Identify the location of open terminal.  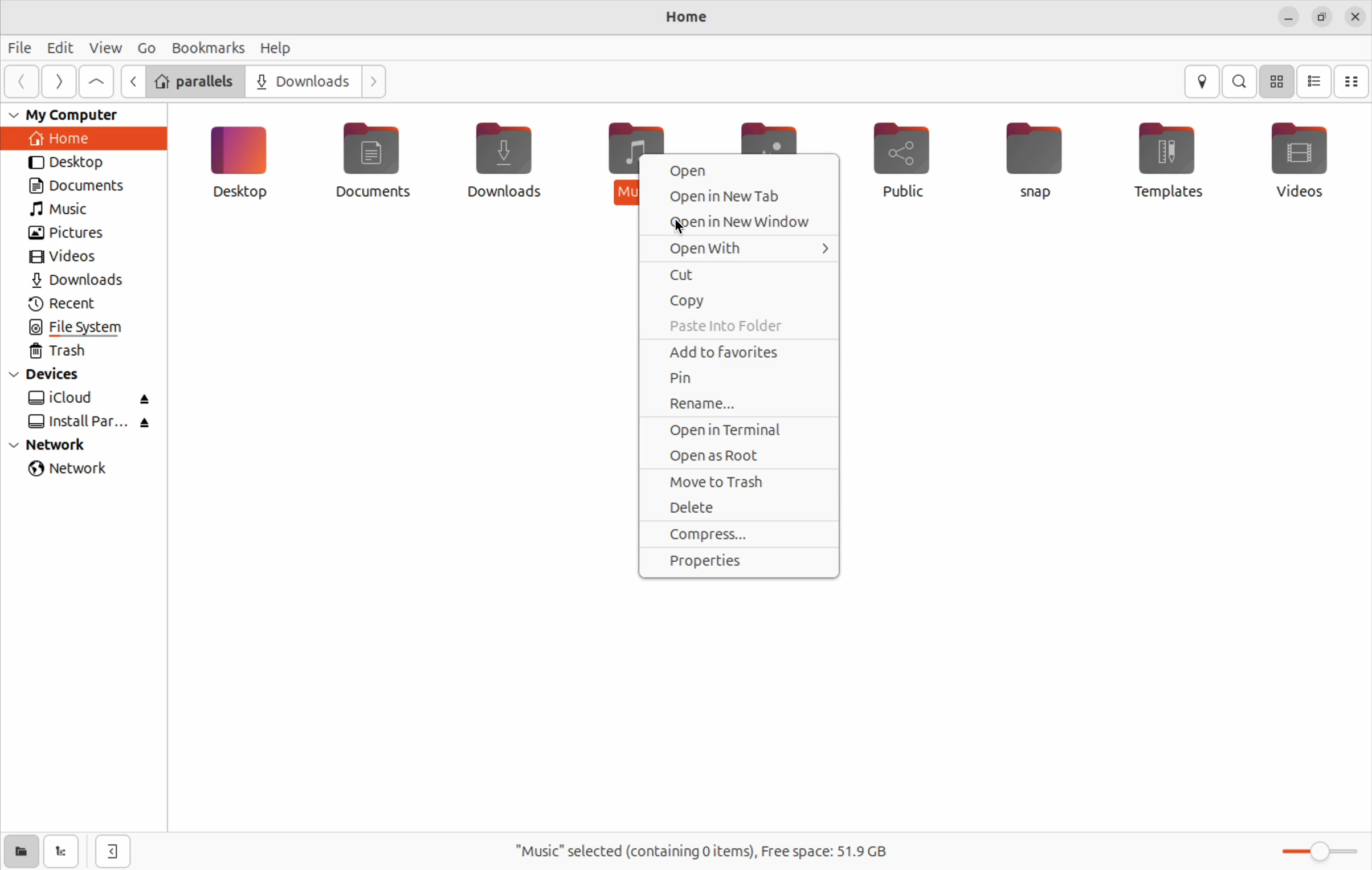
(740, 431).